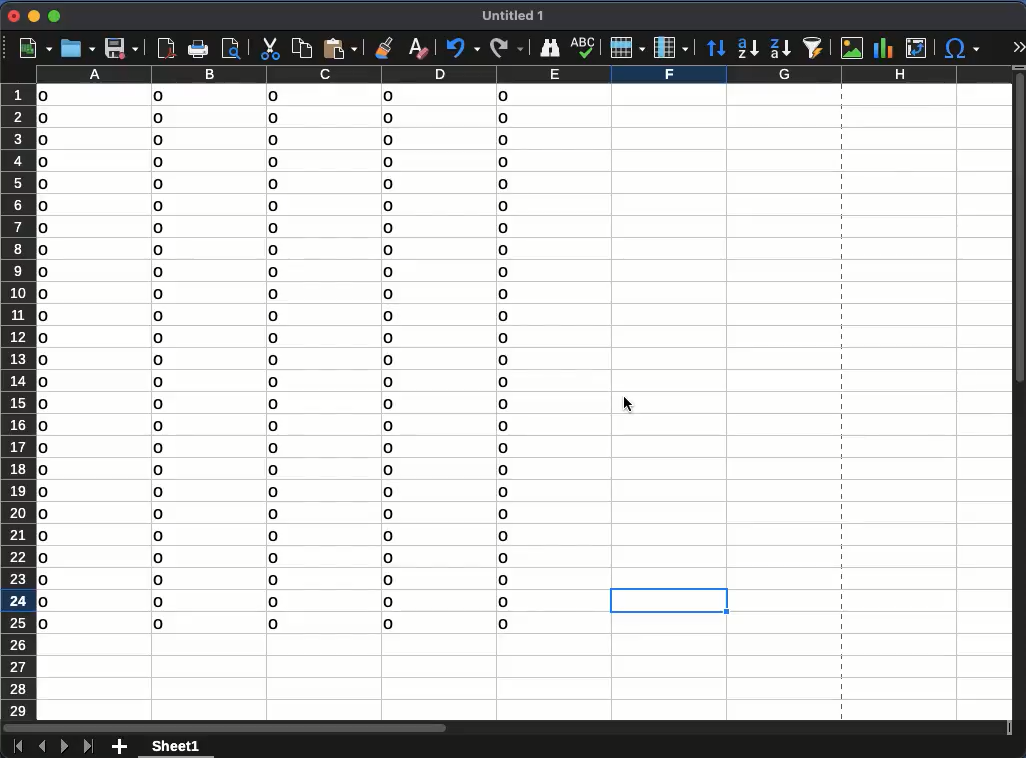 The width and height of the screenshot is (1026, 758). What do you see at coordinates (233, 47) in the screenshot?
I see `print preview` at bounding box center [233, 47].